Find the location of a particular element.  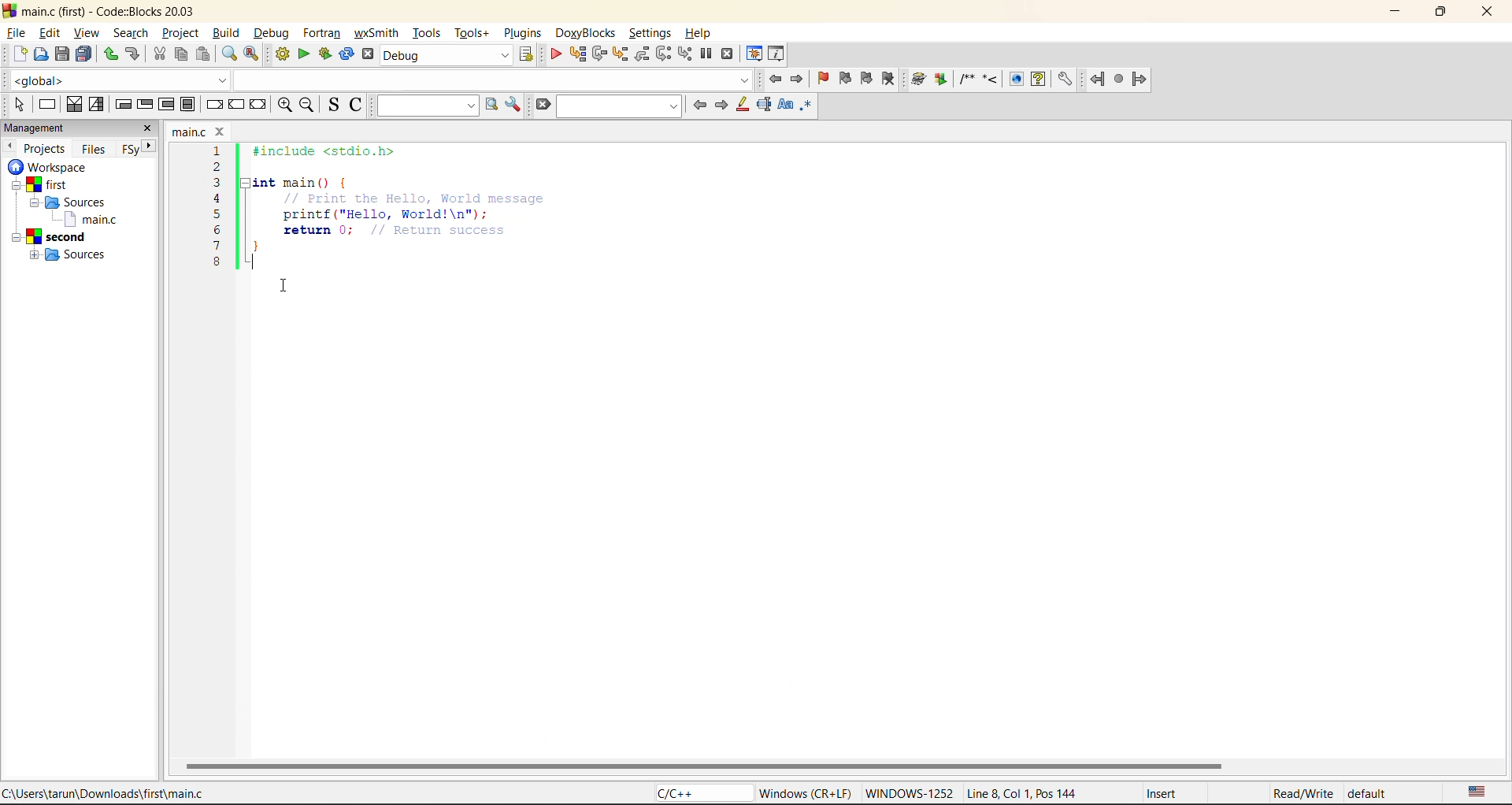

abort is located at coordinates (369, 54).